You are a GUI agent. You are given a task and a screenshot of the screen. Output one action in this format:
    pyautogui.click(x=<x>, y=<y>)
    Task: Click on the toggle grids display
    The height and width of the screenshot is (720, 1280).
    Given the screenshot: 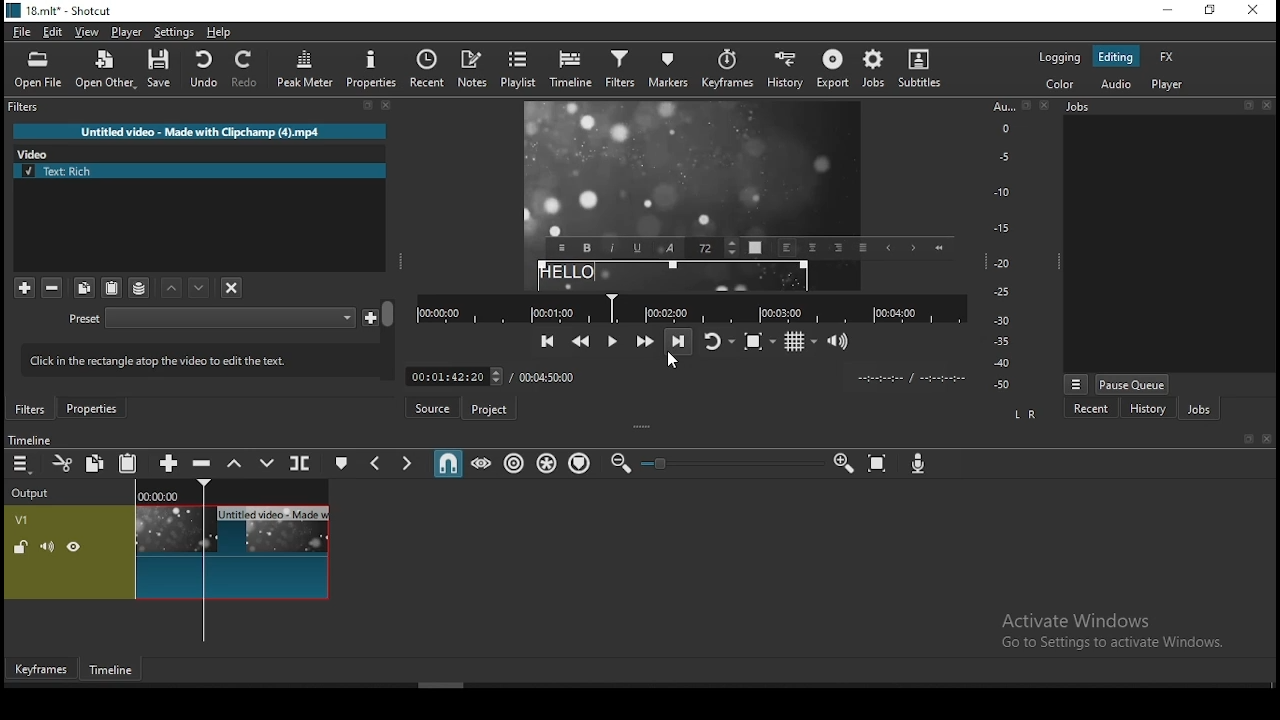 What is the action you would take?
    pyautogui.click(x=799, y=342)
    